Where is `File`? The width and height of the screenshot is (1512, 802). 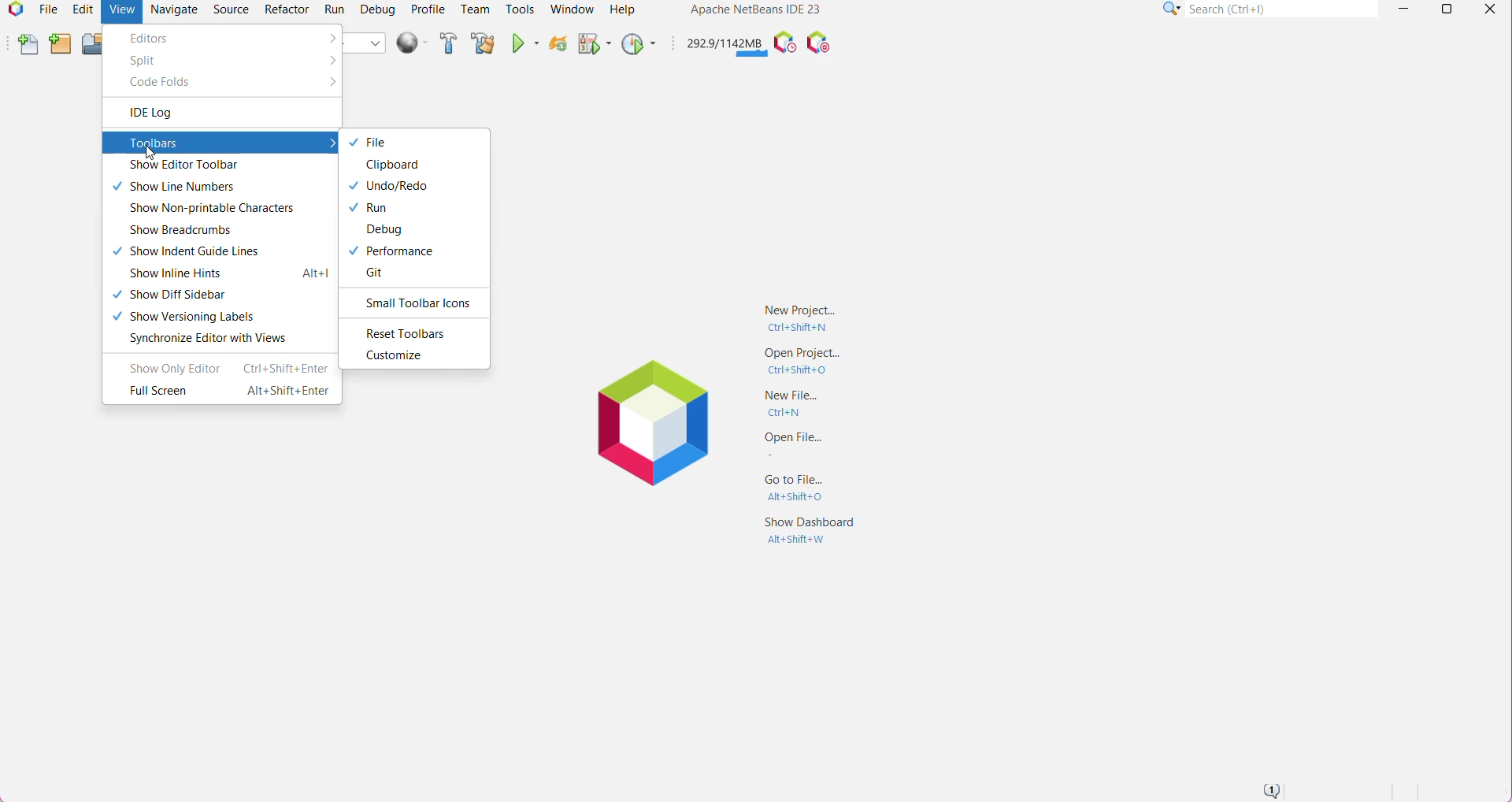
File is located at coordinates (378, 142).